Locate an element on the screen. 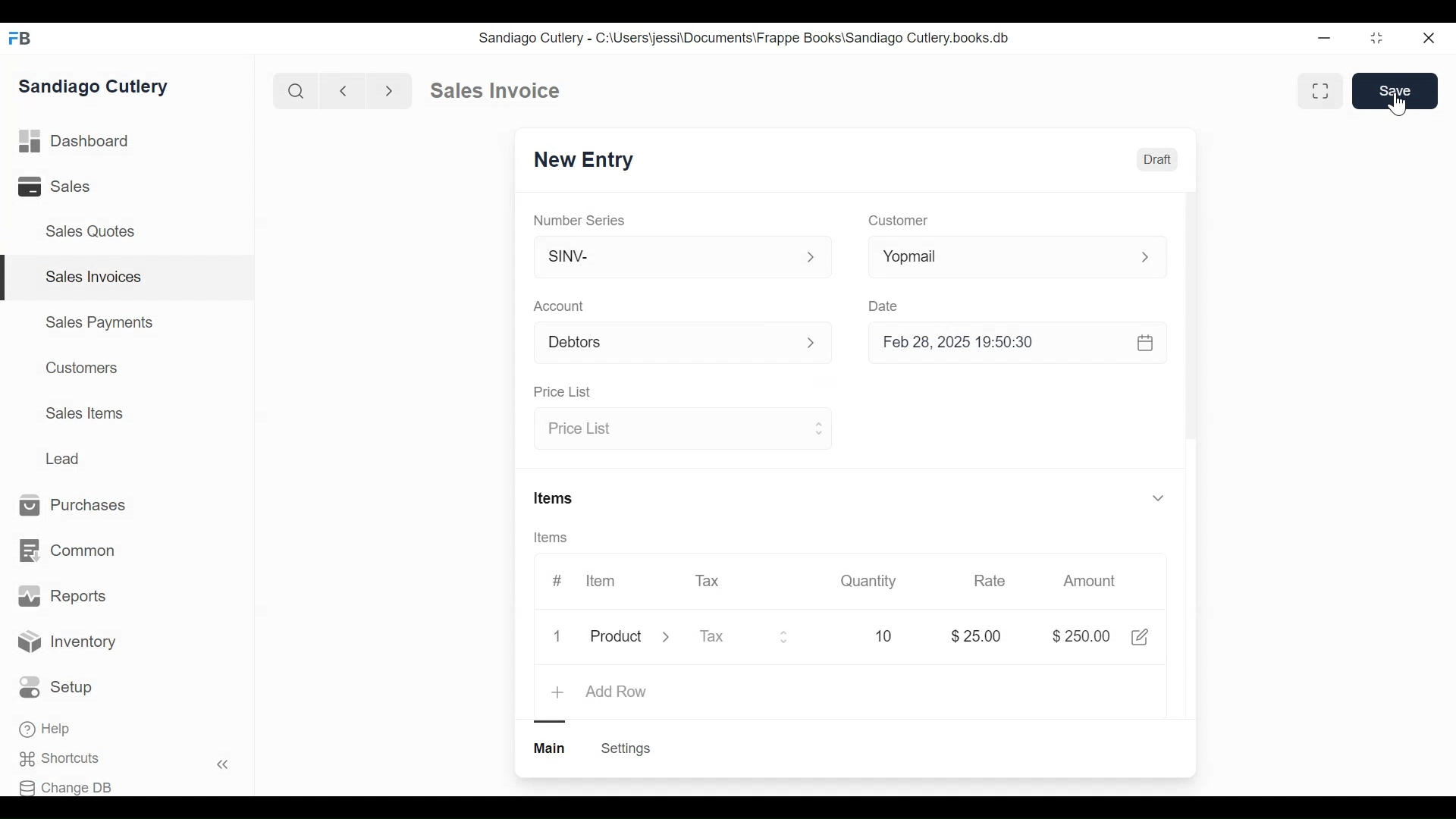 Image resolution: width=1456 pixels, height=819 pixels. share is located at coordinates (1144, 637).